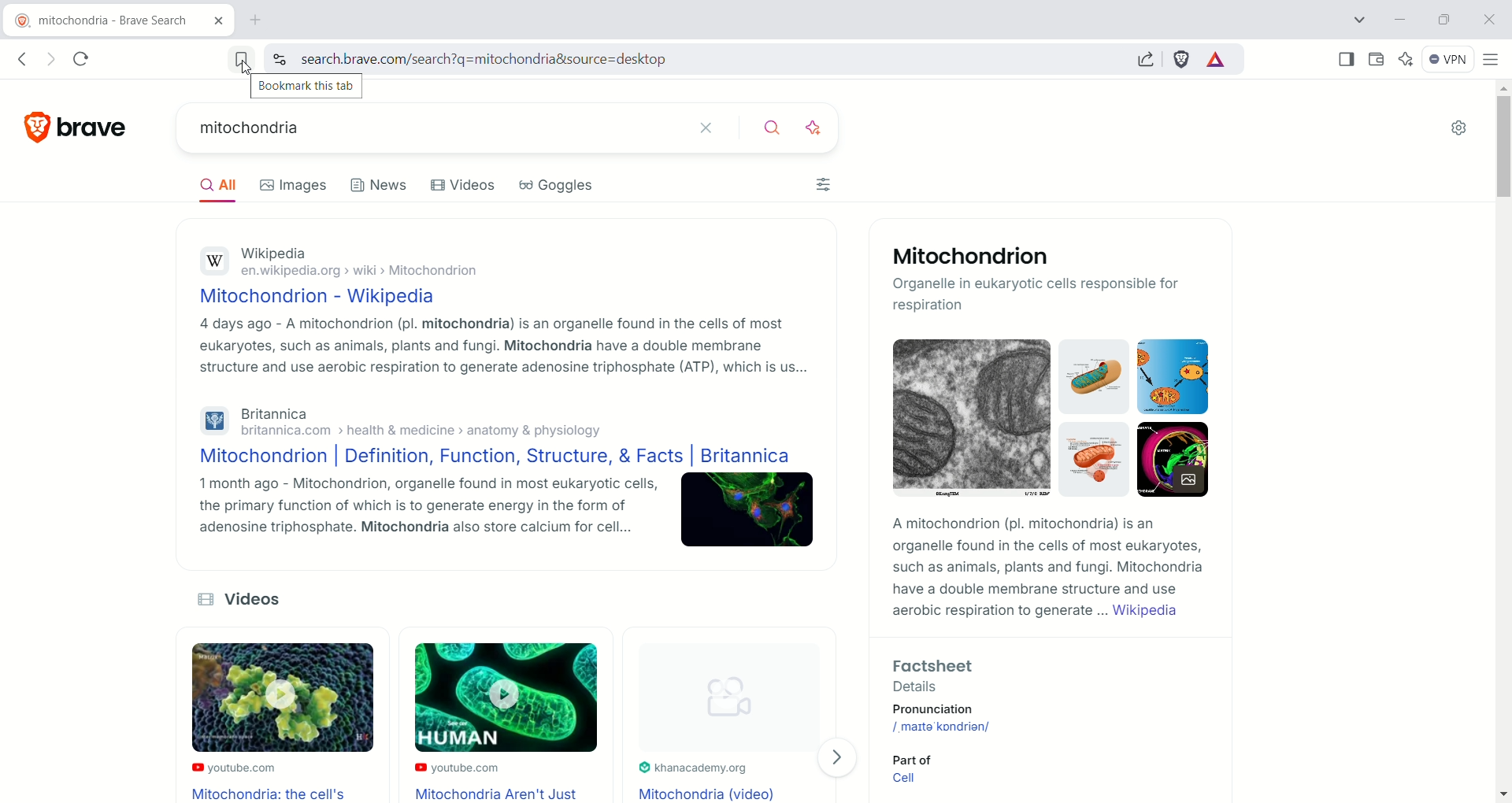  Describe the element at coordinates (20, 59) in the screenshot. I see `go back` at that location.